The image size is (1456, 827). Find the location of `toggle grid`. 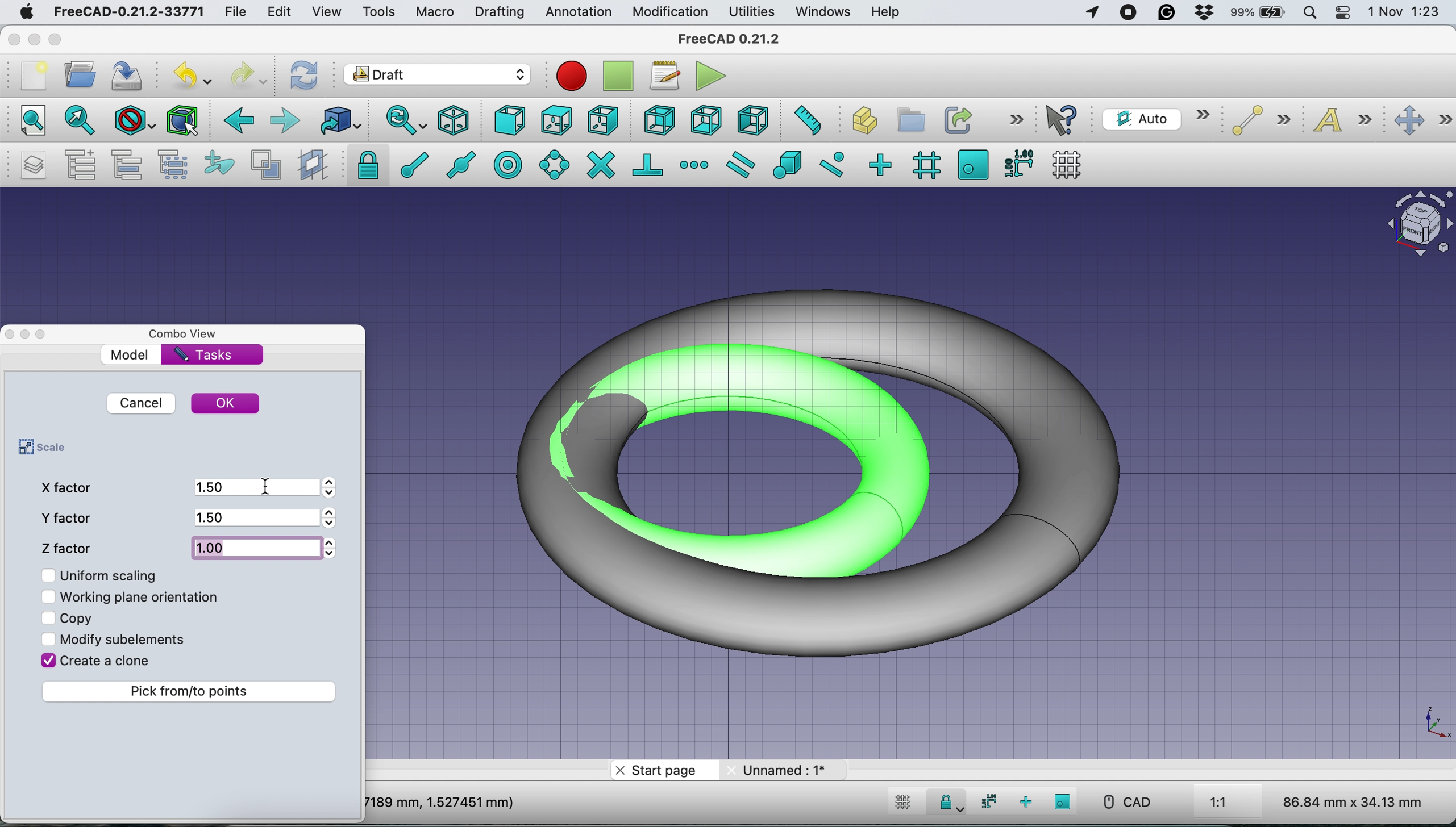

toggle grid is located at coordinates (903, 804).